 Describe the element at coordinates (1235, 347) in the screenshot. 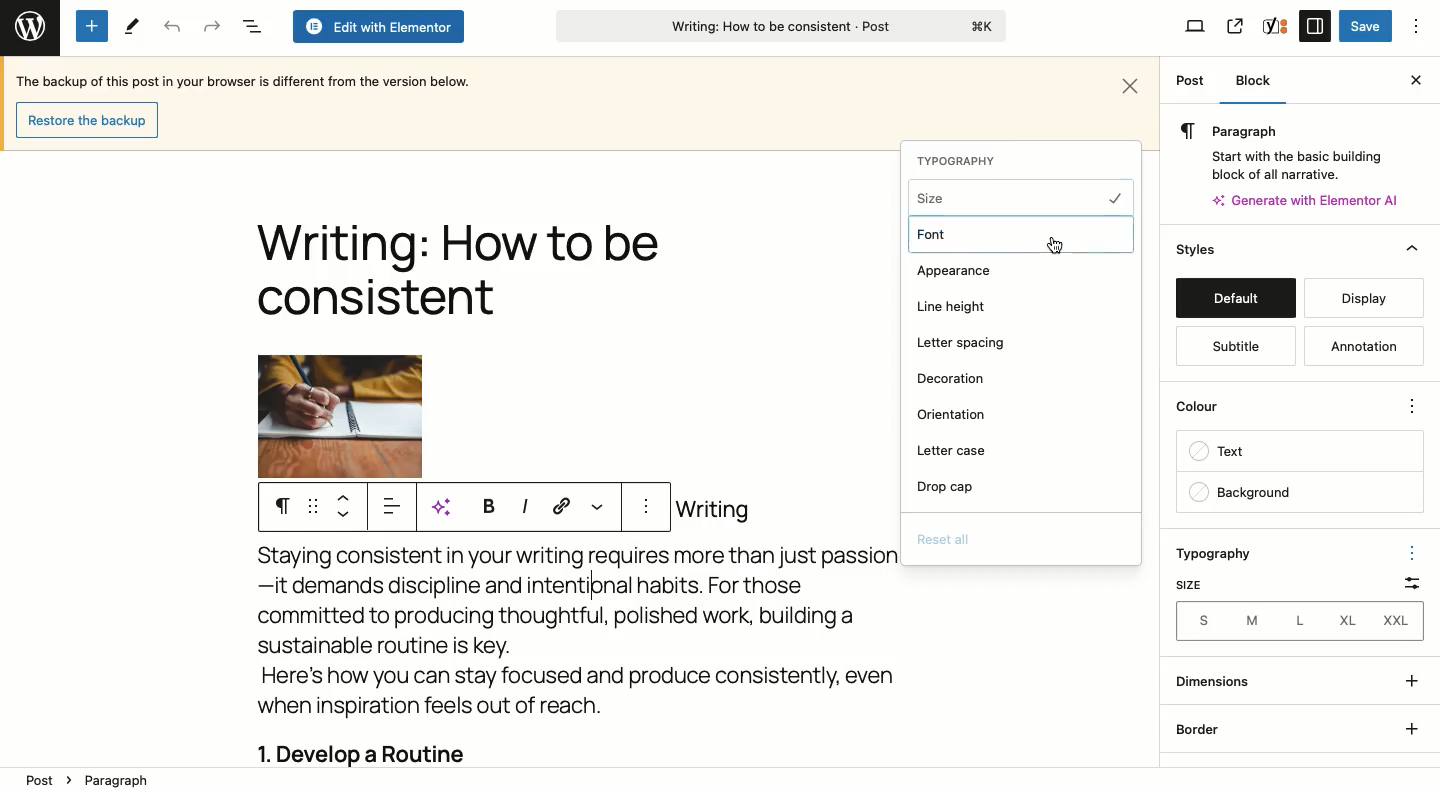

I see `Subtitle` at that location.